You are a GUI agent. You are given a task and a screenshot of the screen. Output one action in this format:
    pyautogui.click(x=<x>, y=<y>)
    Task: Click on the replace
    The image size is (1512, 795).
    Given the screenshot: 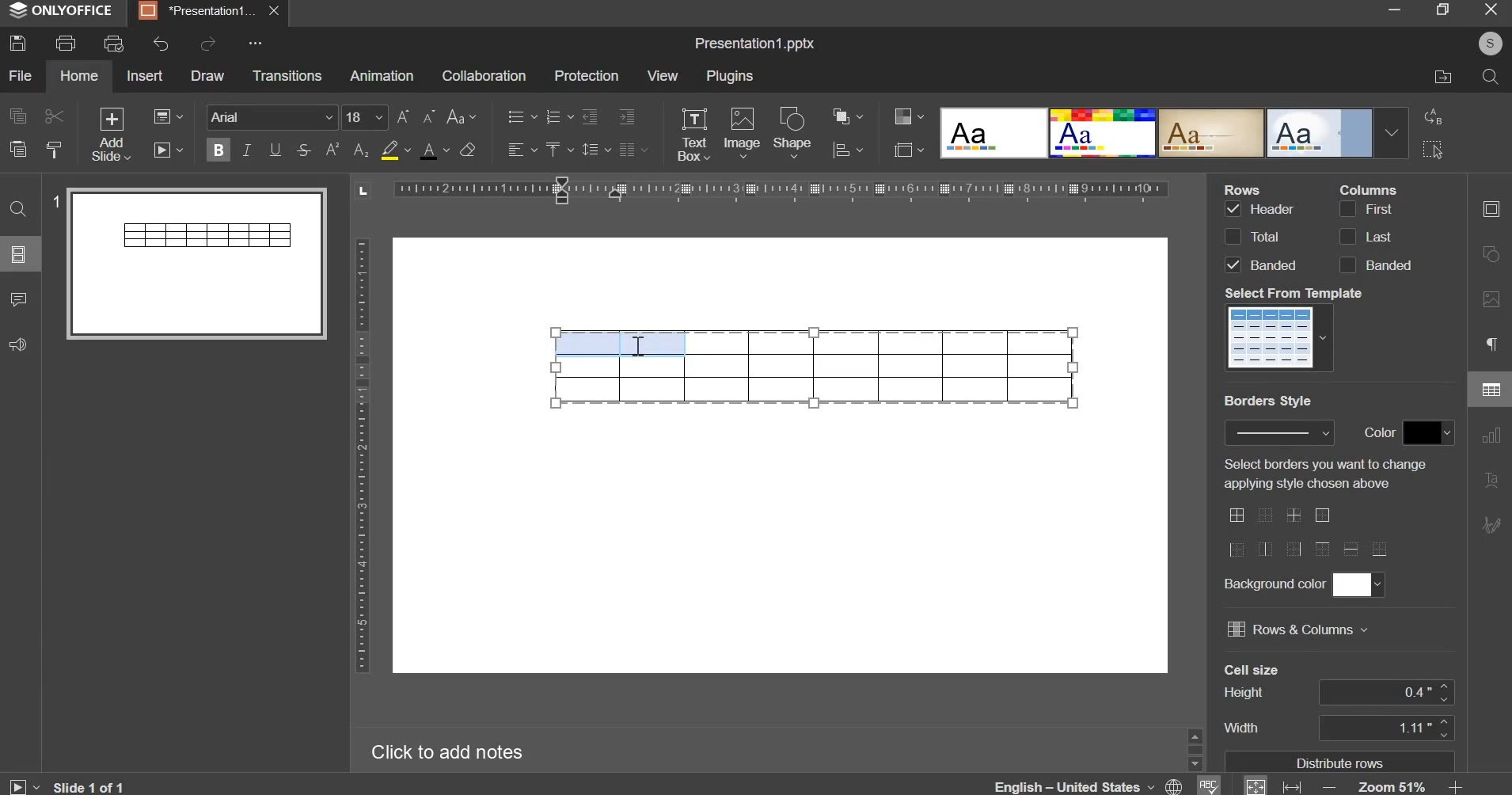 What is the action you would take?
    pyautogui.click(x=1430, y=116)
    